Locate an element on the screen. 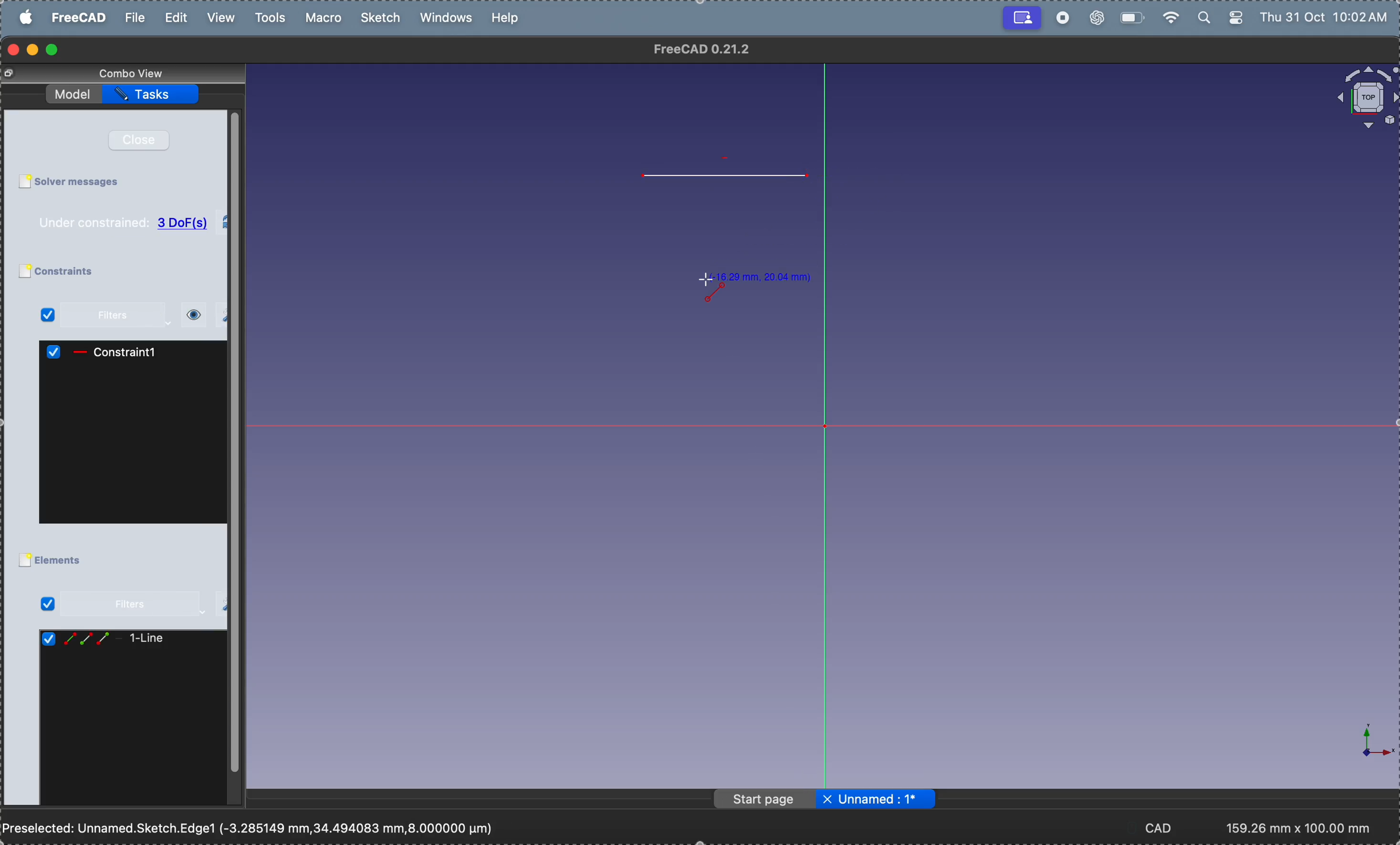 Image resolution: width=1400 pixels, height=845 pixels. tools is located at coordinates (273, 18).